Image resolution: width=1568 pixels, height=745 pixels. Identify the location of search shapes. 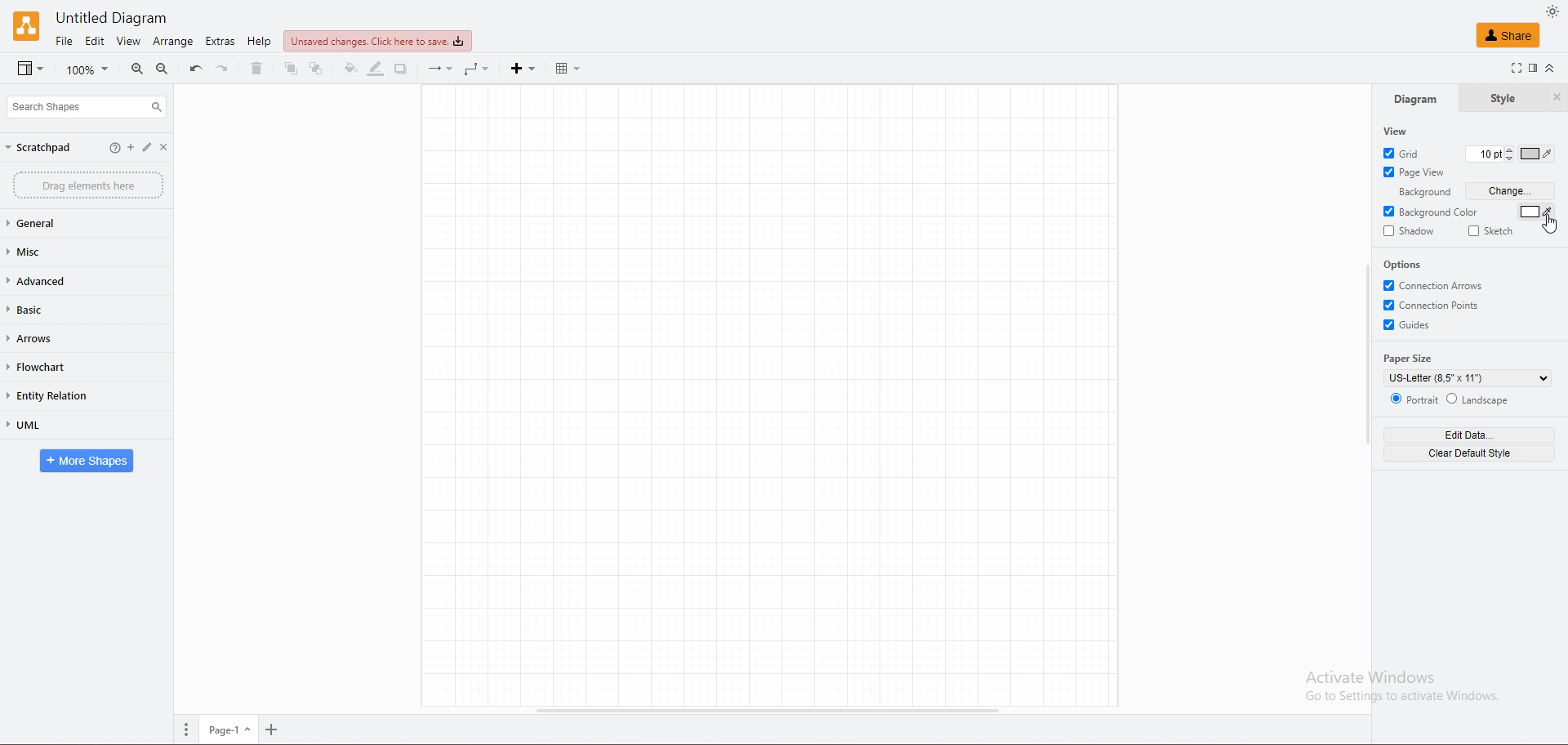
(86, 106).